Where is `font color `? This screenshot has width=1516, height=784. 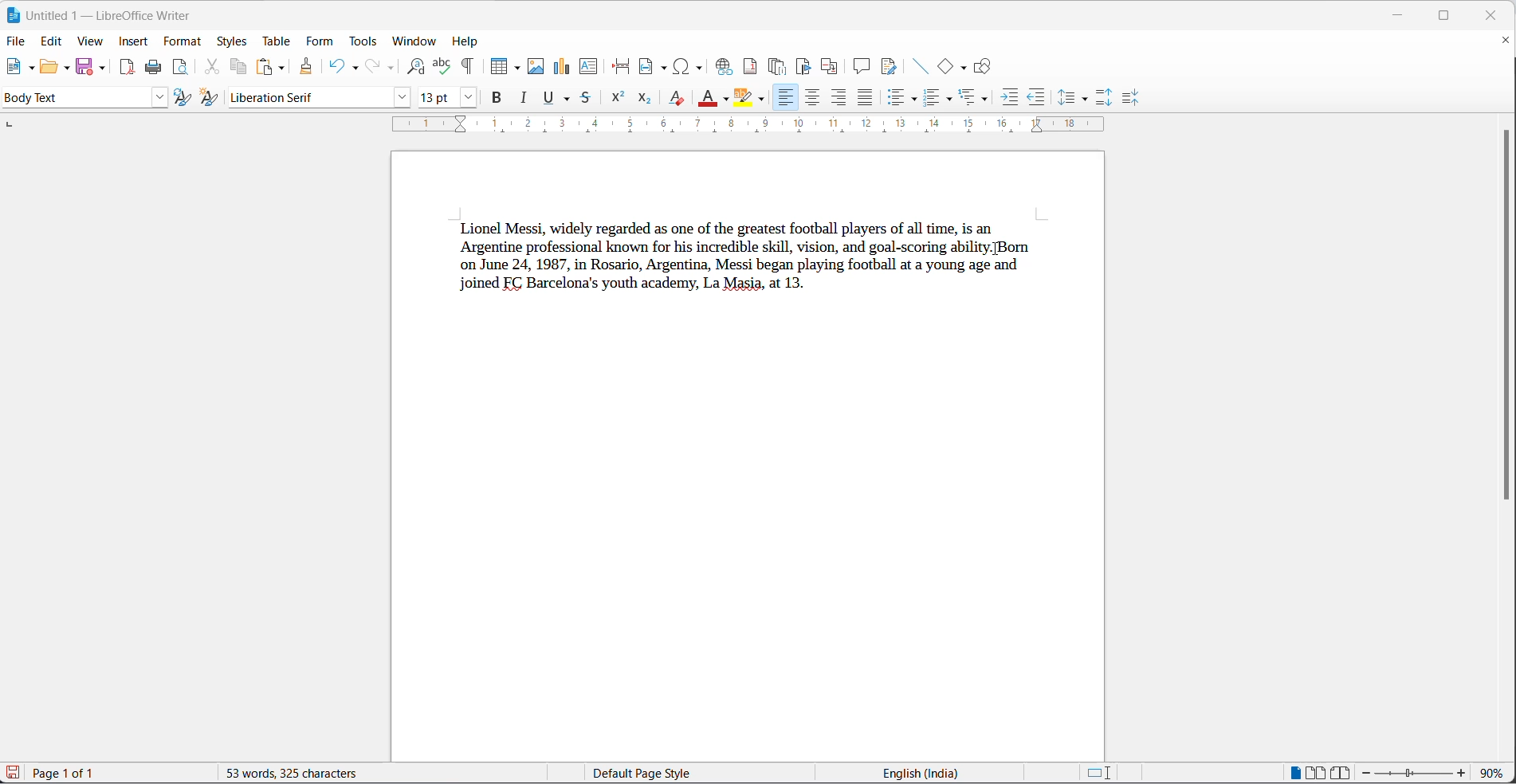
font color  is located at coordinates (709, 99).